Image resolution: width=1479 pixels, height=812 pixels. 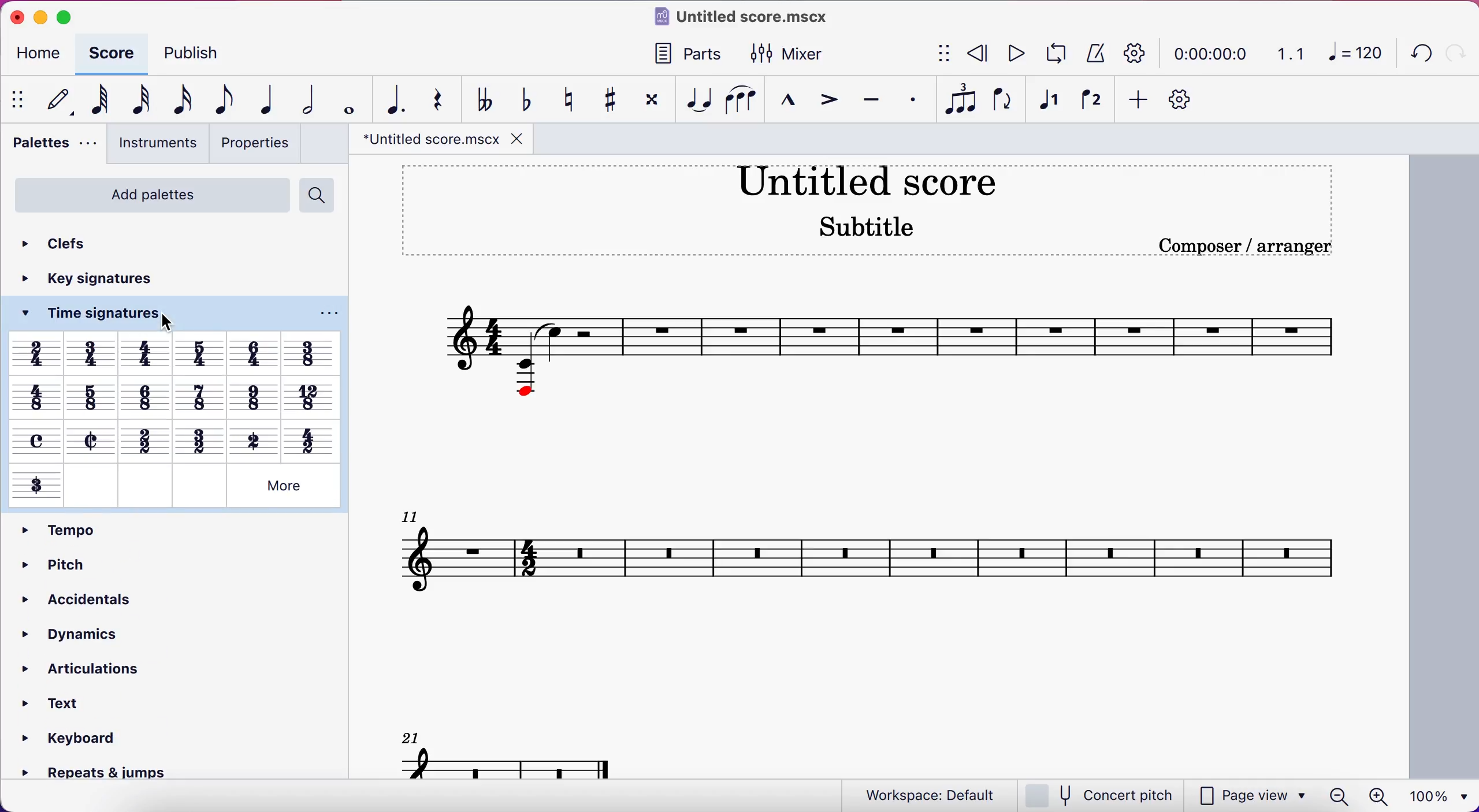 What do you see at coordinates (444, 140) in the screenshot?
I see `untitled score.mscx` at bounding box center [444, 140].